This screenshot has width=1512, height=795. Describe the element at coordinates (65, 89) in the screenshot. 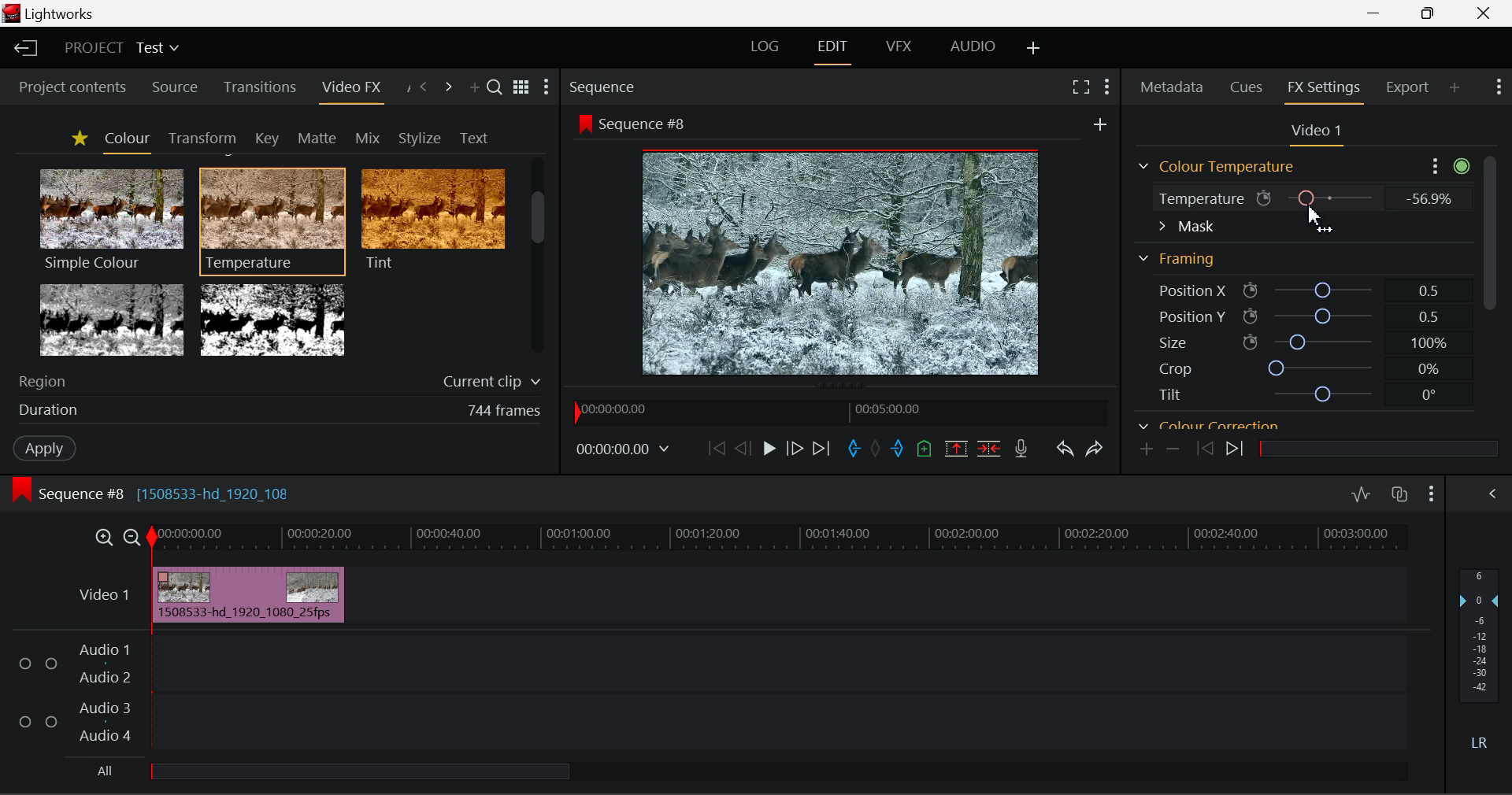

I see `Project contents` at that location.